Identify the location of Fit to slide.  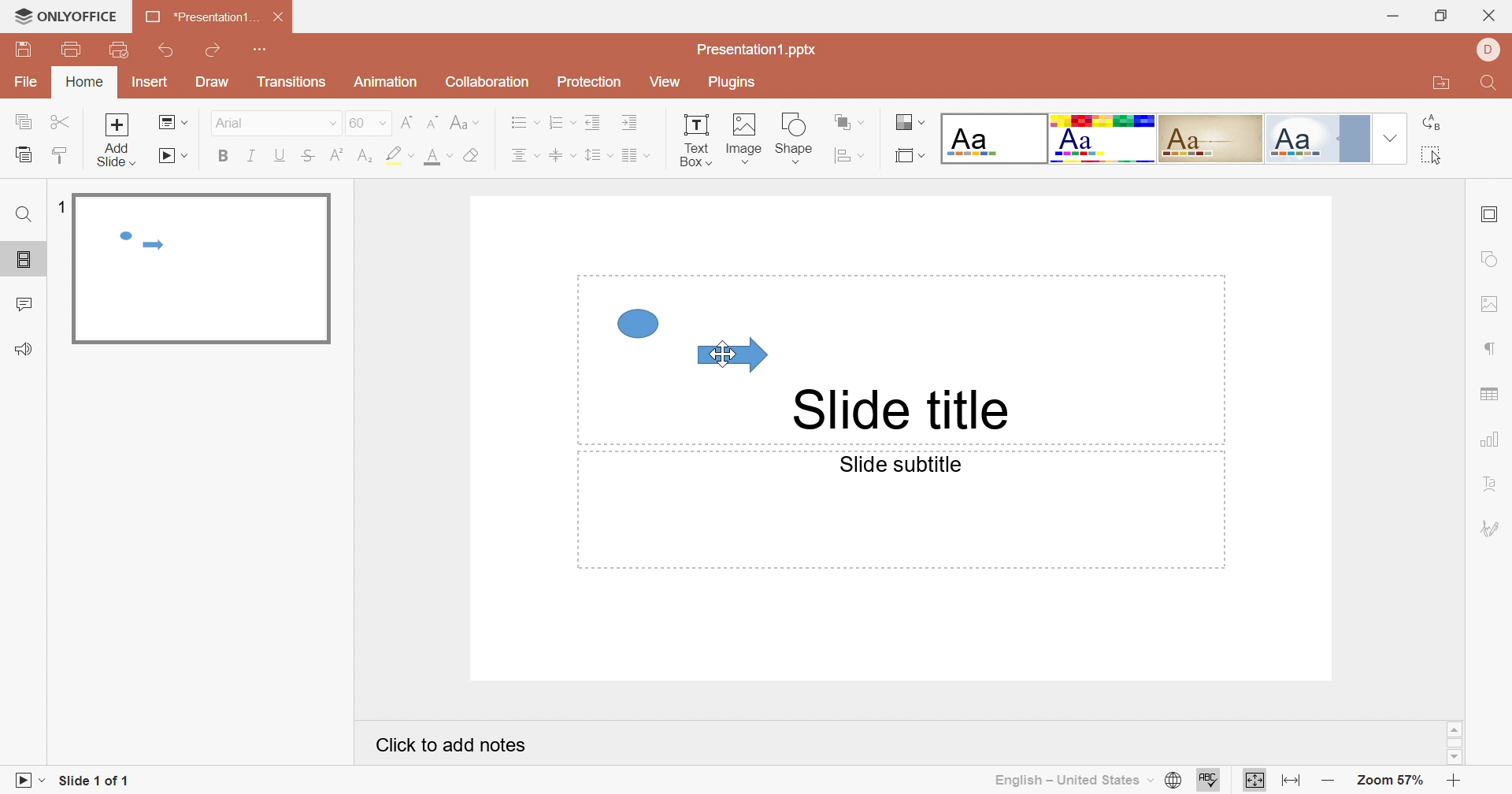
(1258, 781).